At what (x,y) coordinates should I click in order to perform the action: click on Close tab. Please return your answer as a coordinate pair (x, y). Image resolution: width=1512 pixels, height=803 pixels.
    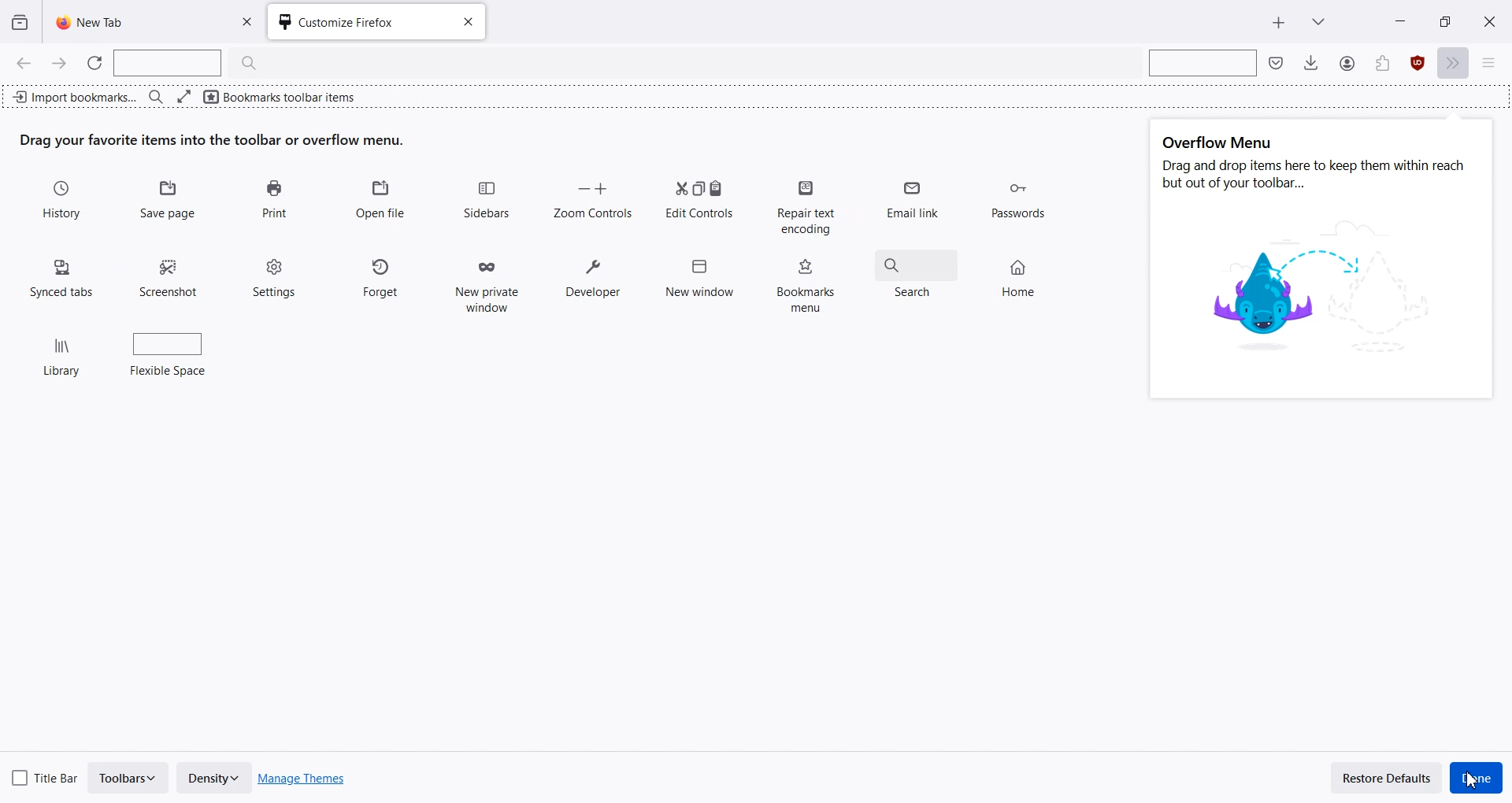
    Looking at the image, I should click on (466, 22).